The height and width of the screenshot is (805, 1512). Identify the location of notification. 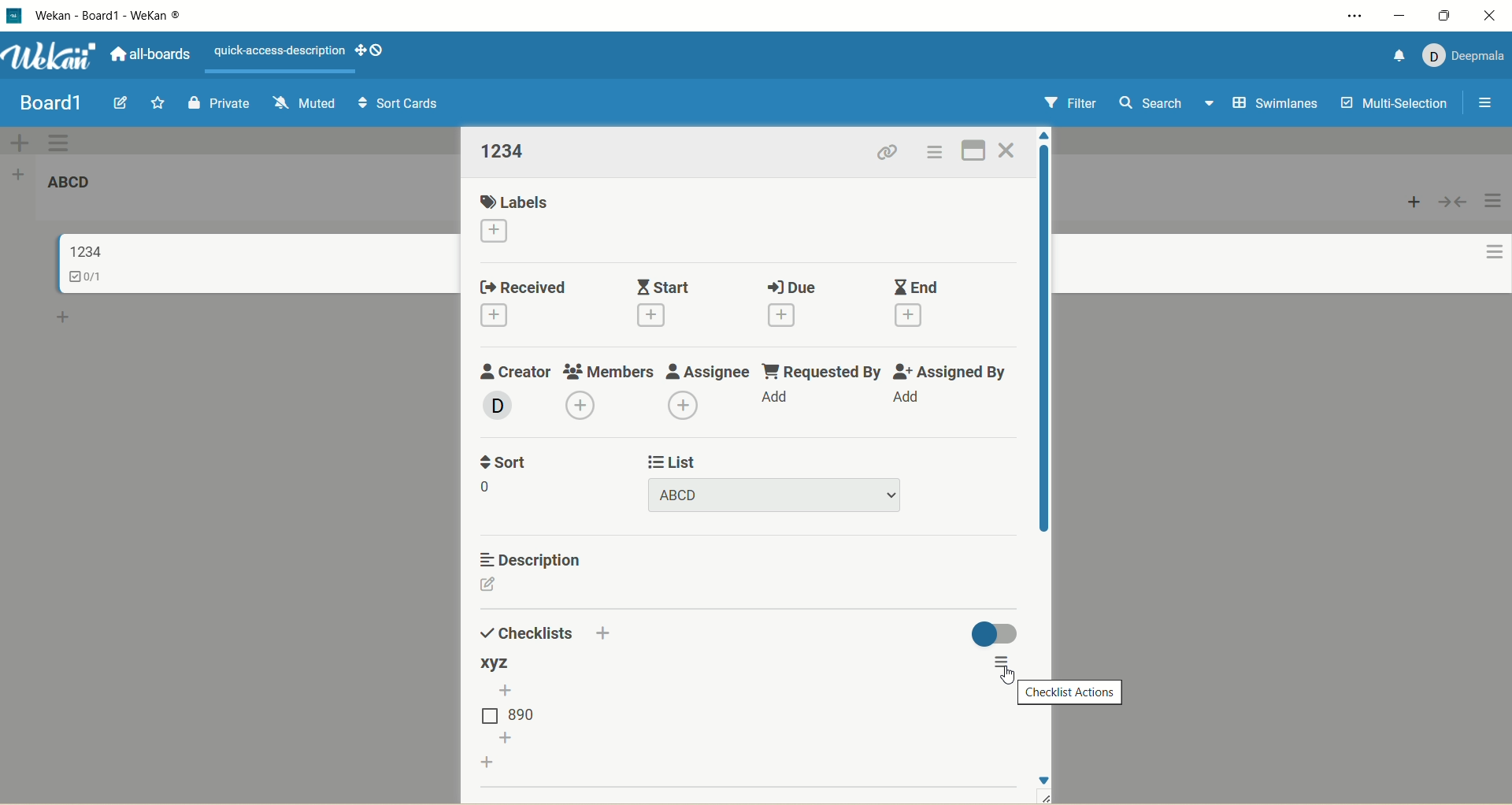
(1396, 58).